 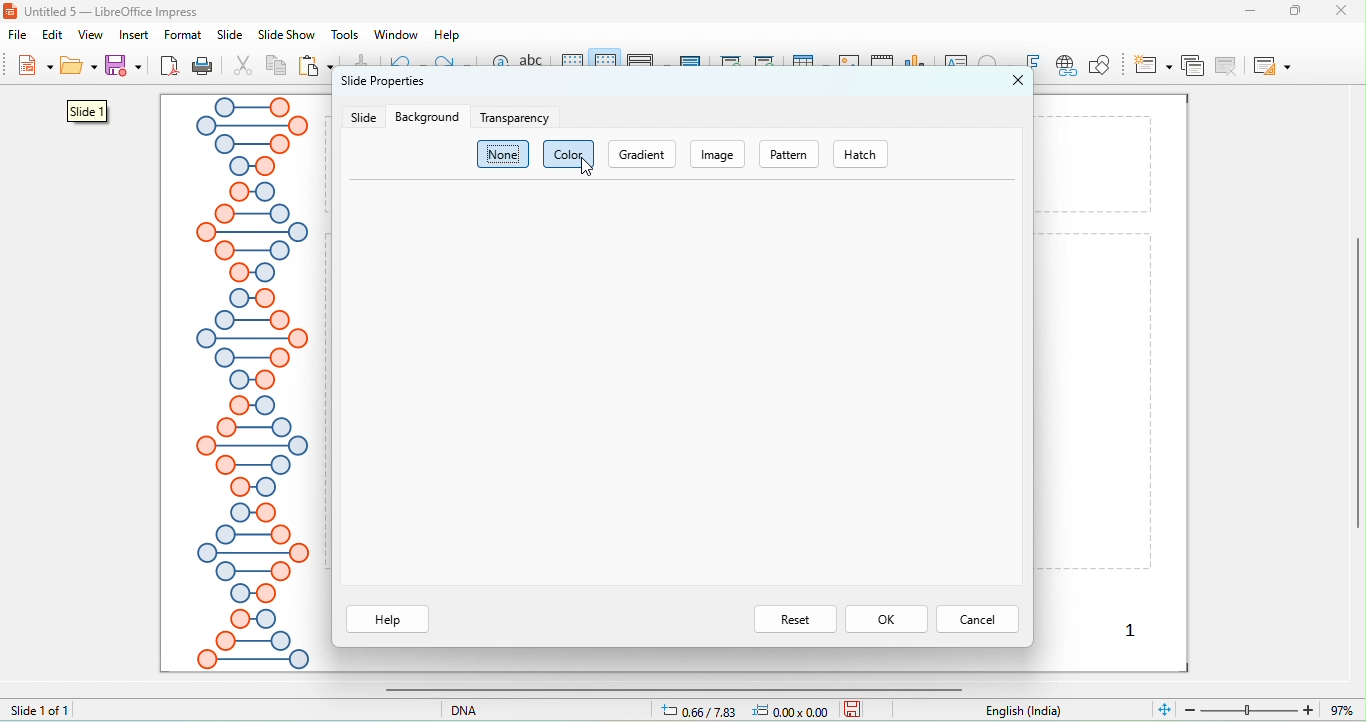 I want to click on new slide, so click(x=1153, y=64).